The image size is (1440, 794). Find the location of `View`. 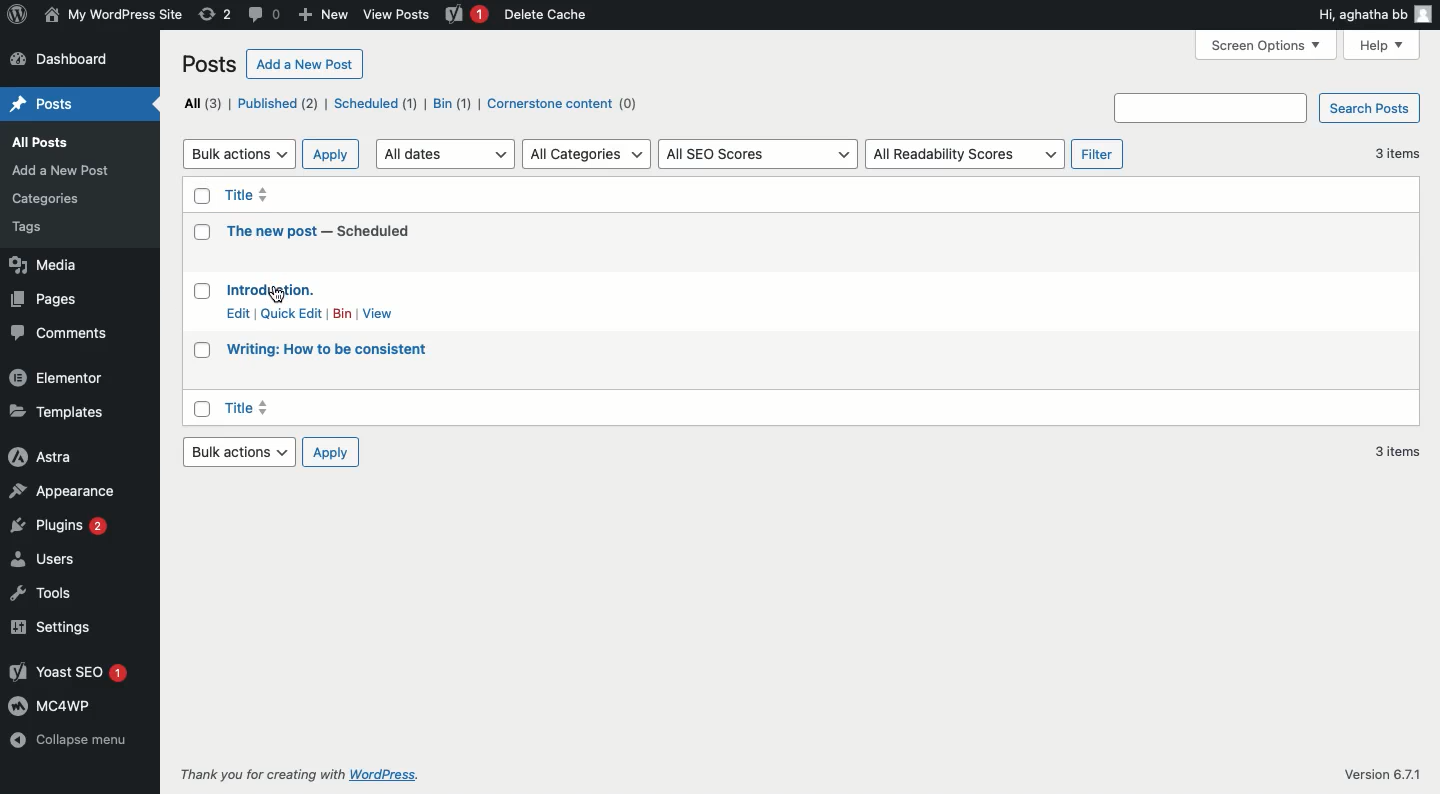

View is located at coordinates (380, 313).